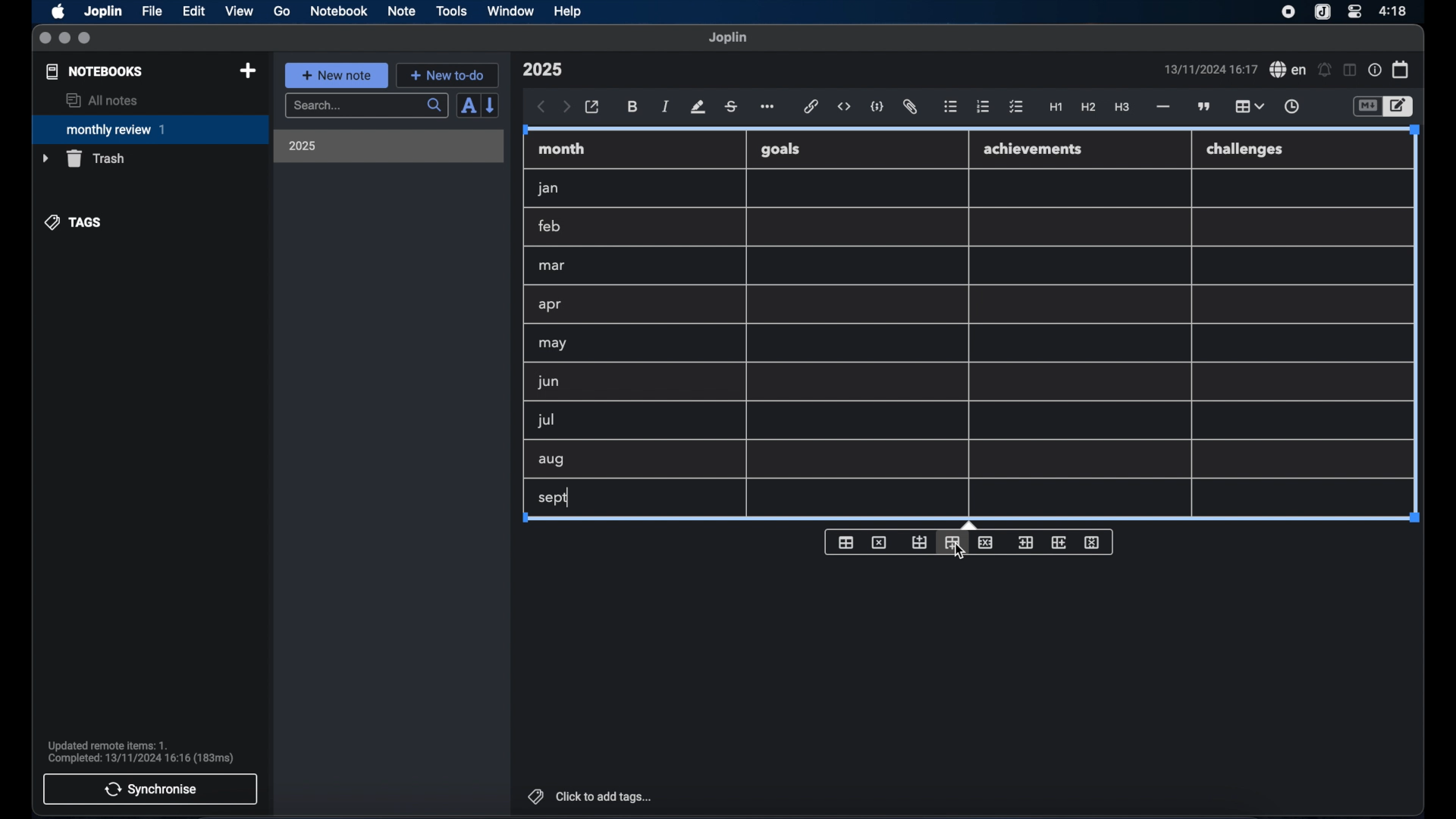  Describe the element at coordinates (150, 128) in the screenshot. I see `monthly review` at that location.